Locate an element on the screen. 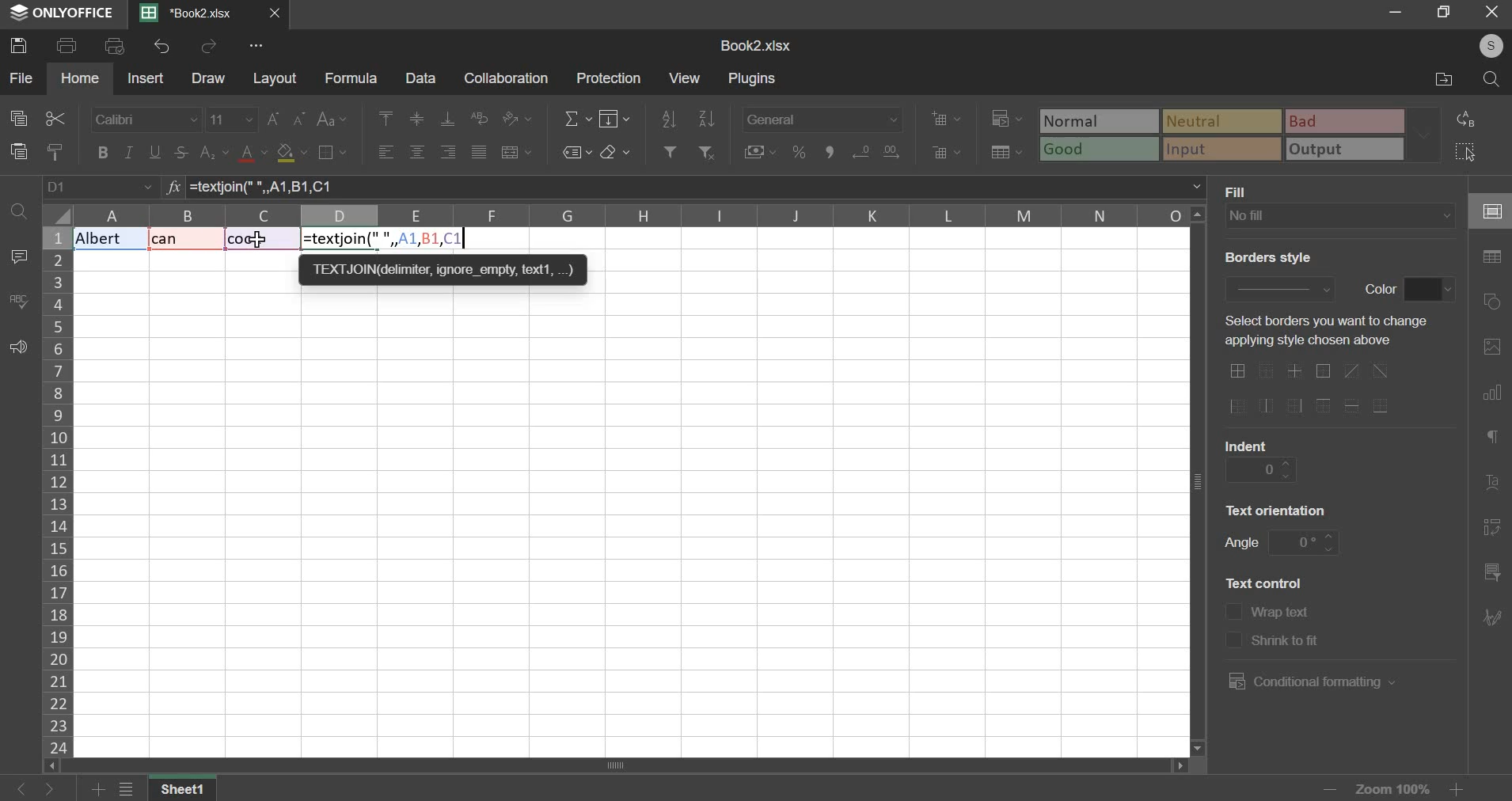 This screenshot has height=801, width=1512. border options is located at coordinates (1316, 389).